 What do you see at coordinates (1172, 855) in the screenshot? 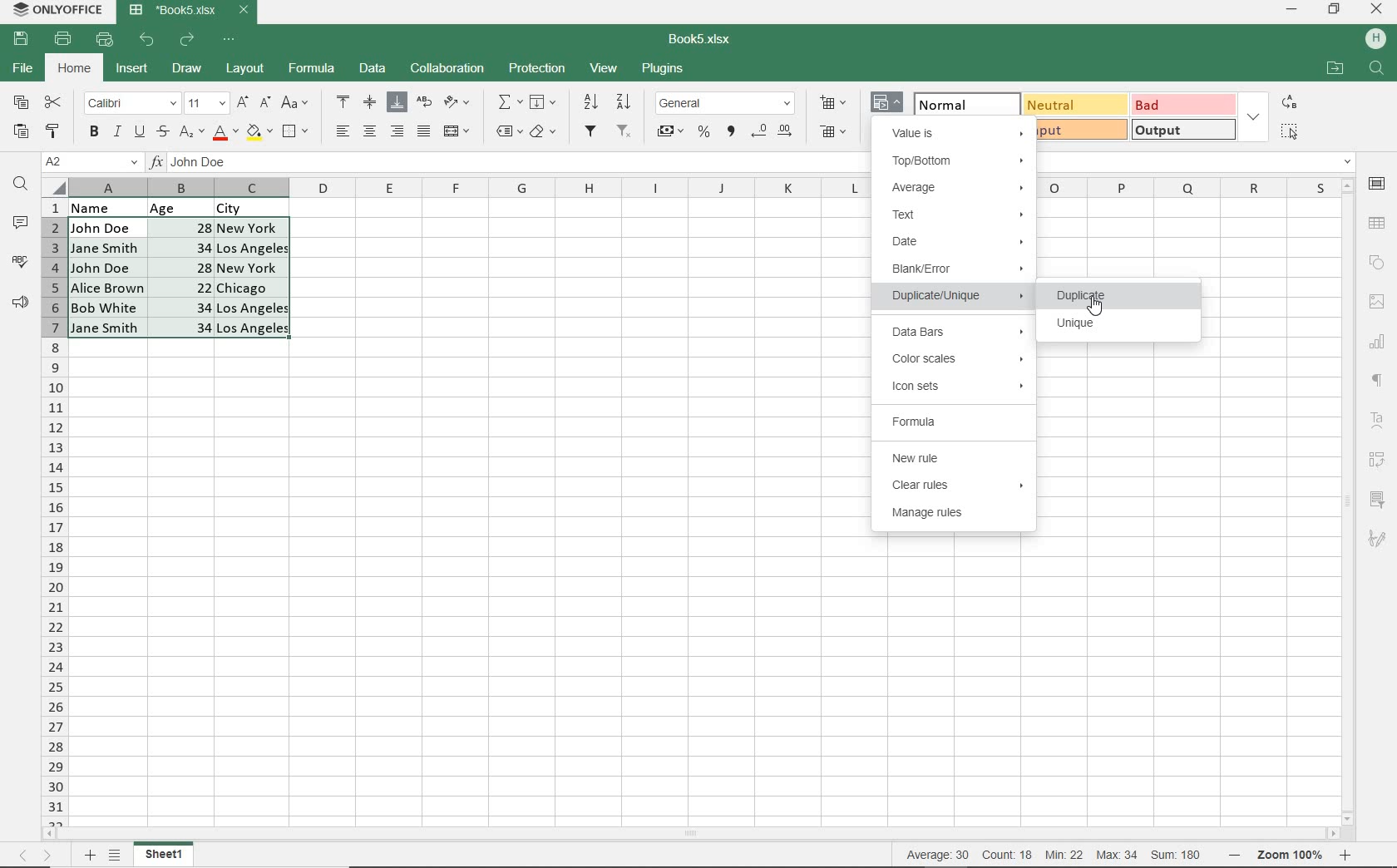
I see `sum` at bounding box center [1172, 855].